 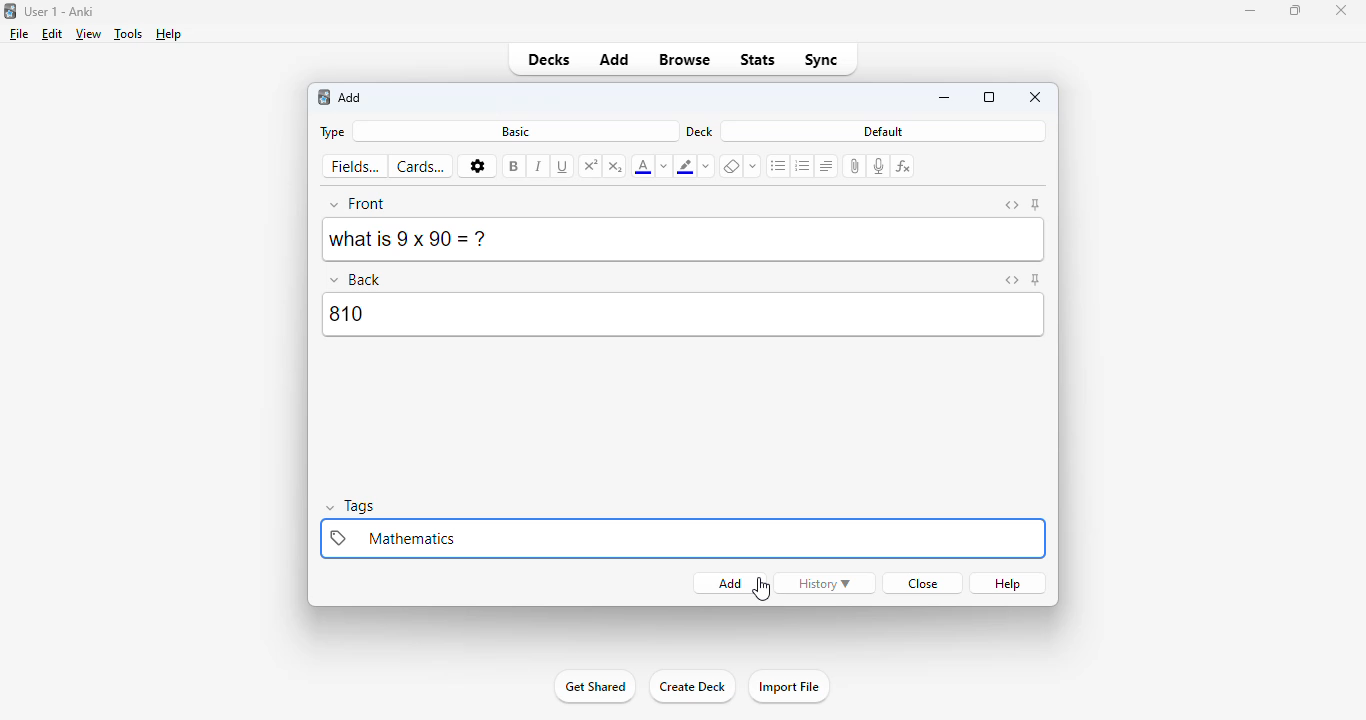 I want to click on maximize, so click(x=989, y=97).